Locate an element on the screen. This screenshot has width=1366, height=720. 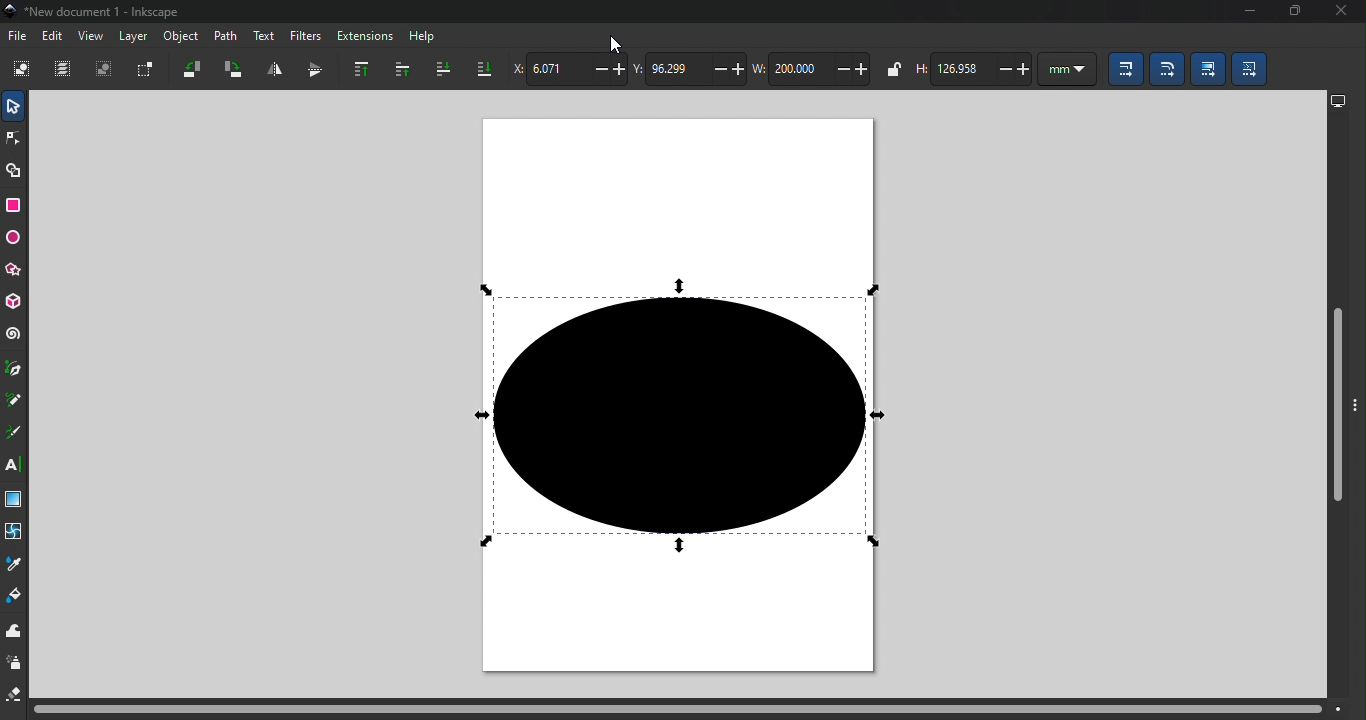
Raise selection to top is located at coordinates (362, 70).